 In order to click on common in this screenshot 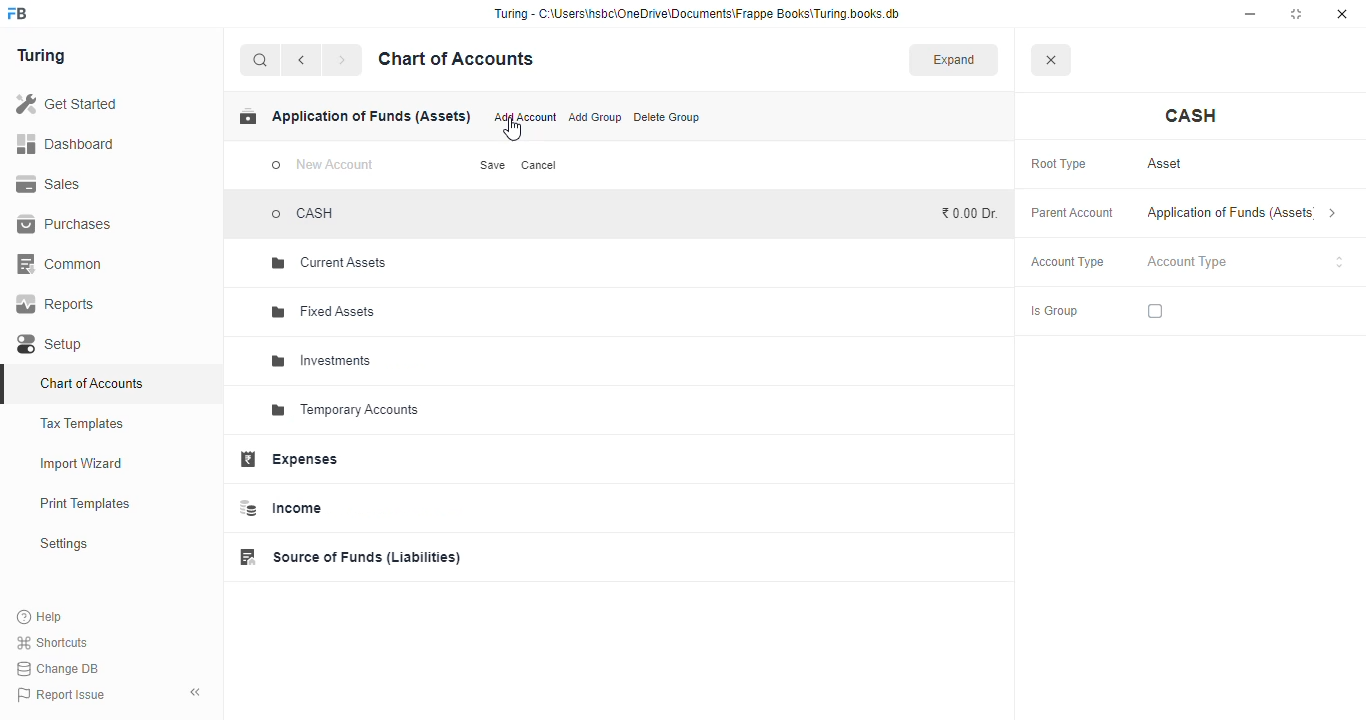, I will do `click(61, 264)`.